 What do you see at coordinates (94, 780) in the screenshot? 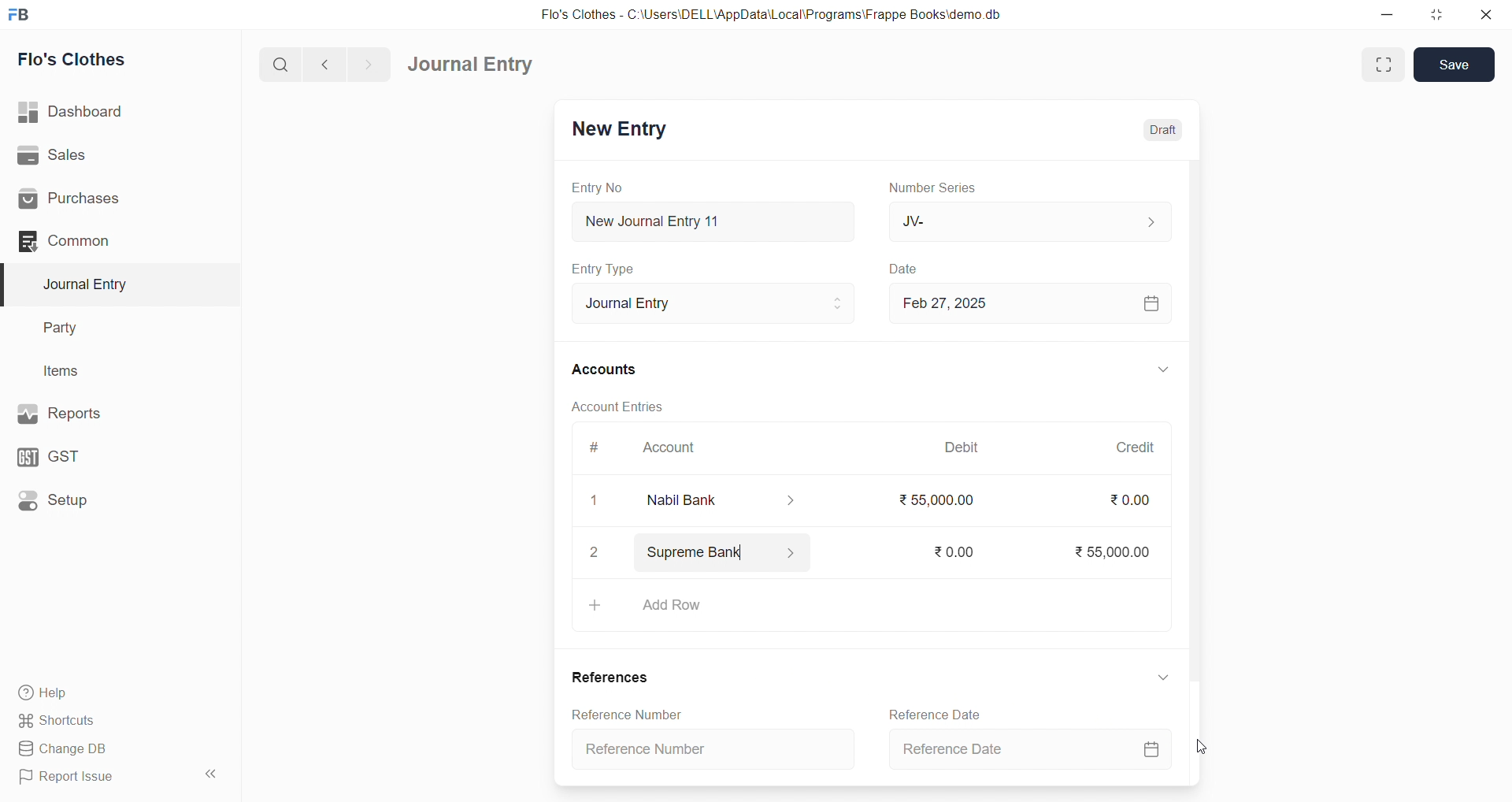
I see `Report Issue` at bounding box center [94, 780].